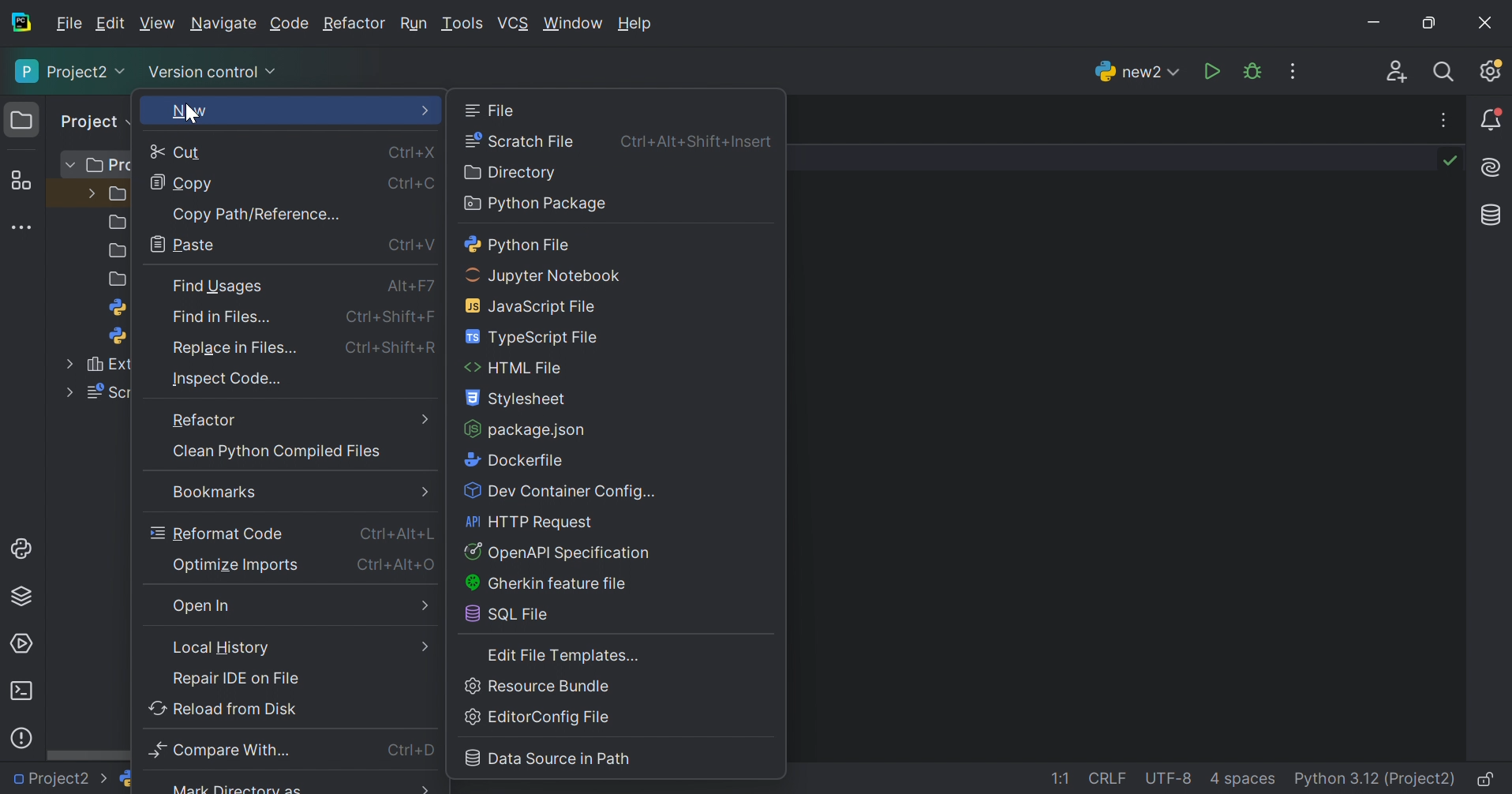  What do you see at coordinates (223, 25) in the screenshot?
I see `Navigate` at bounding box center [223, 25].